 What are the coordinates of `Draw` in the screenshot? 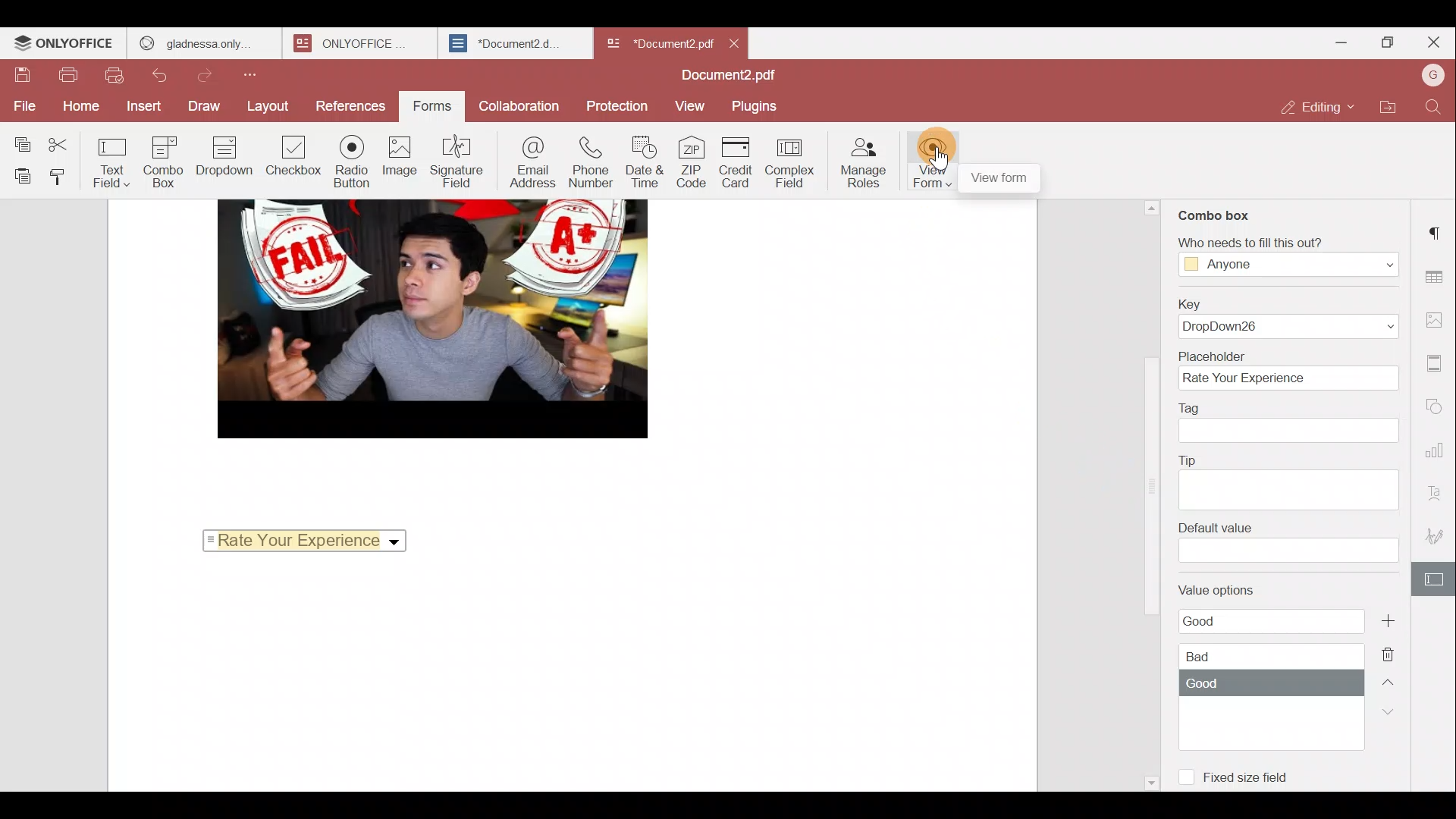 It's located at (206, 107).